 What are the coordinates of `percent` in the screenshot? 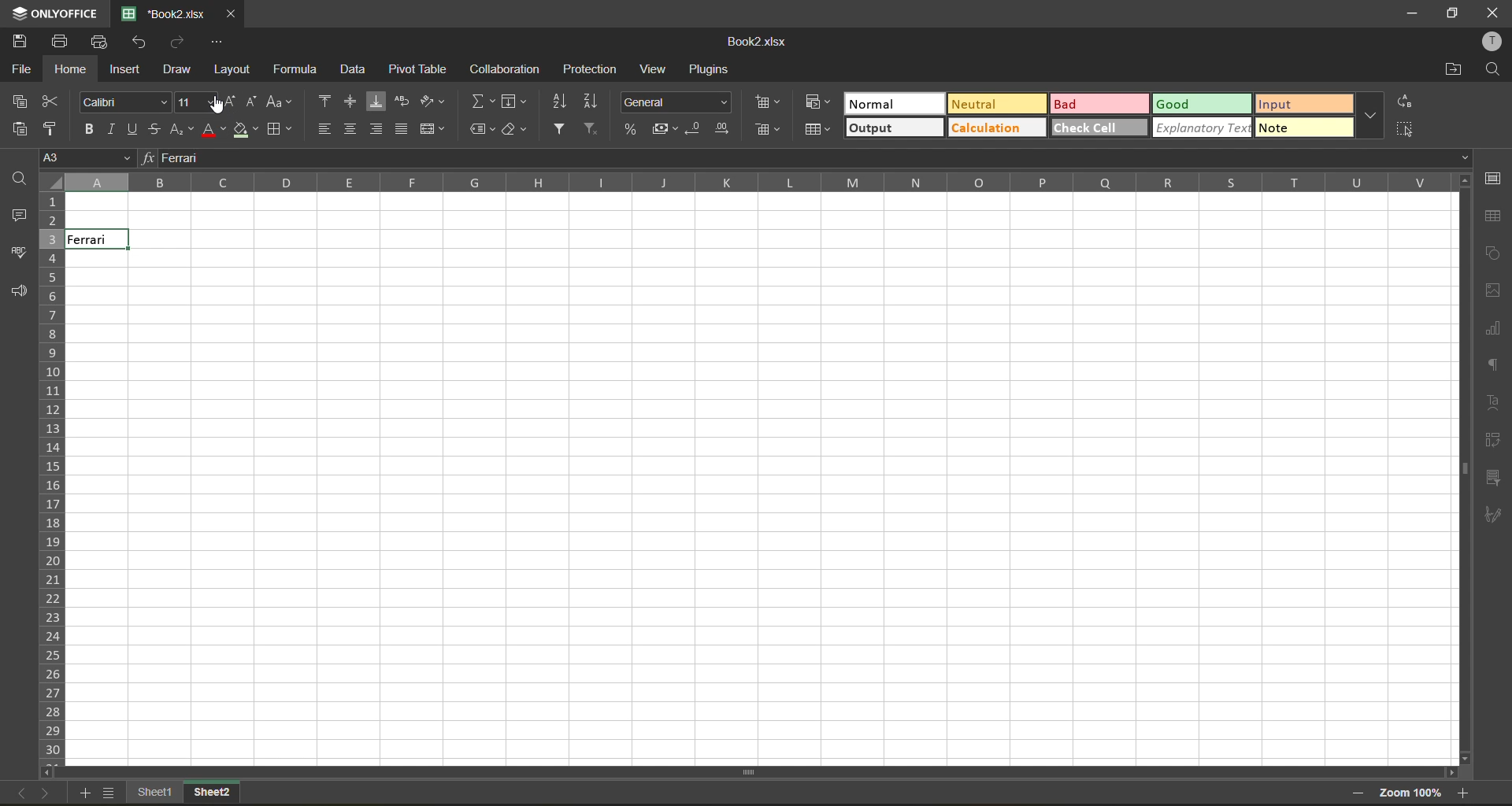 It's located at (628, 128).